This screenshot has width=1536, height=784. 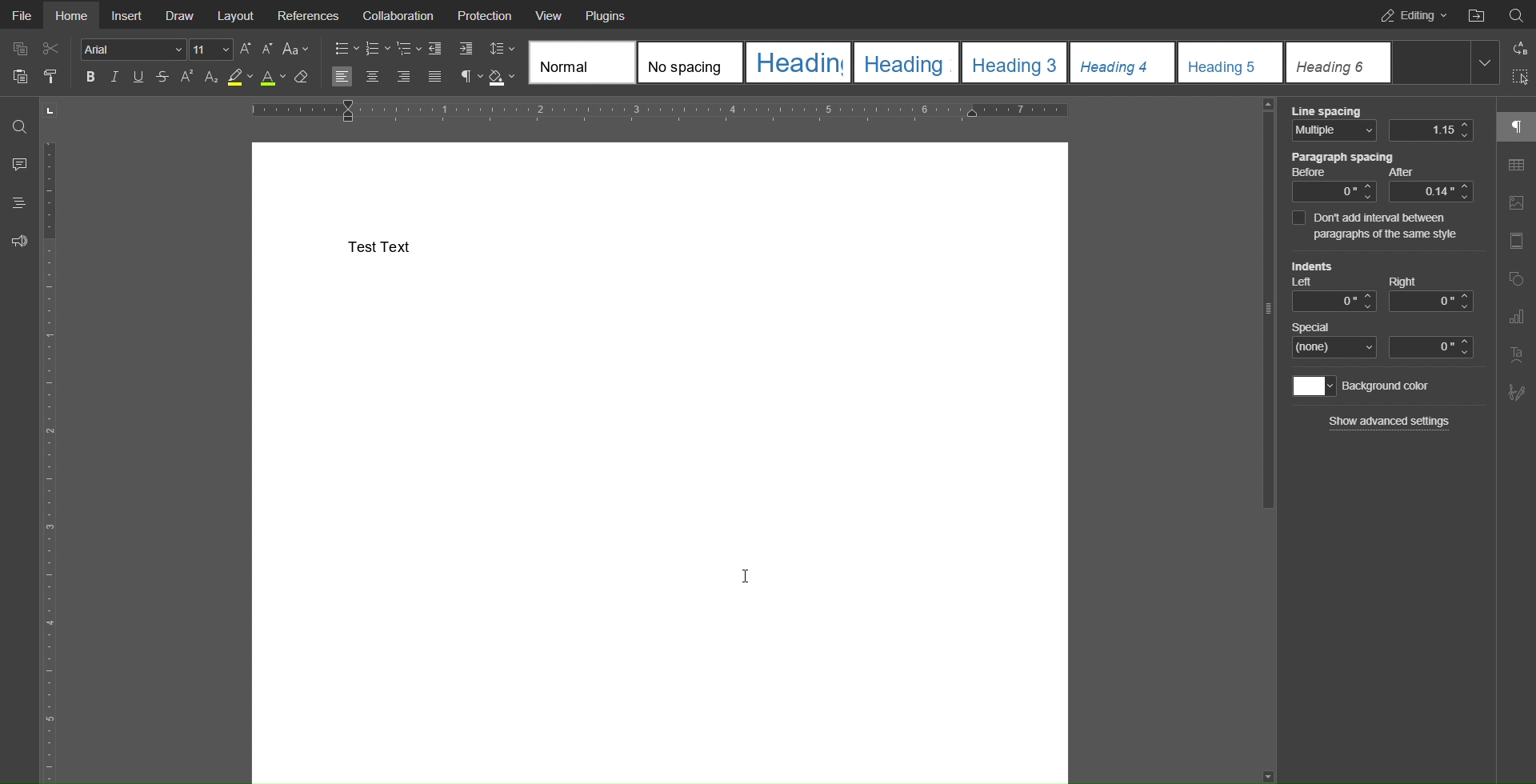 What do you see at coordinates (1382, 226) in the screenshot?
I see `Don't add interval between paragraphs of the same style` at bounding box center [1382, 226].